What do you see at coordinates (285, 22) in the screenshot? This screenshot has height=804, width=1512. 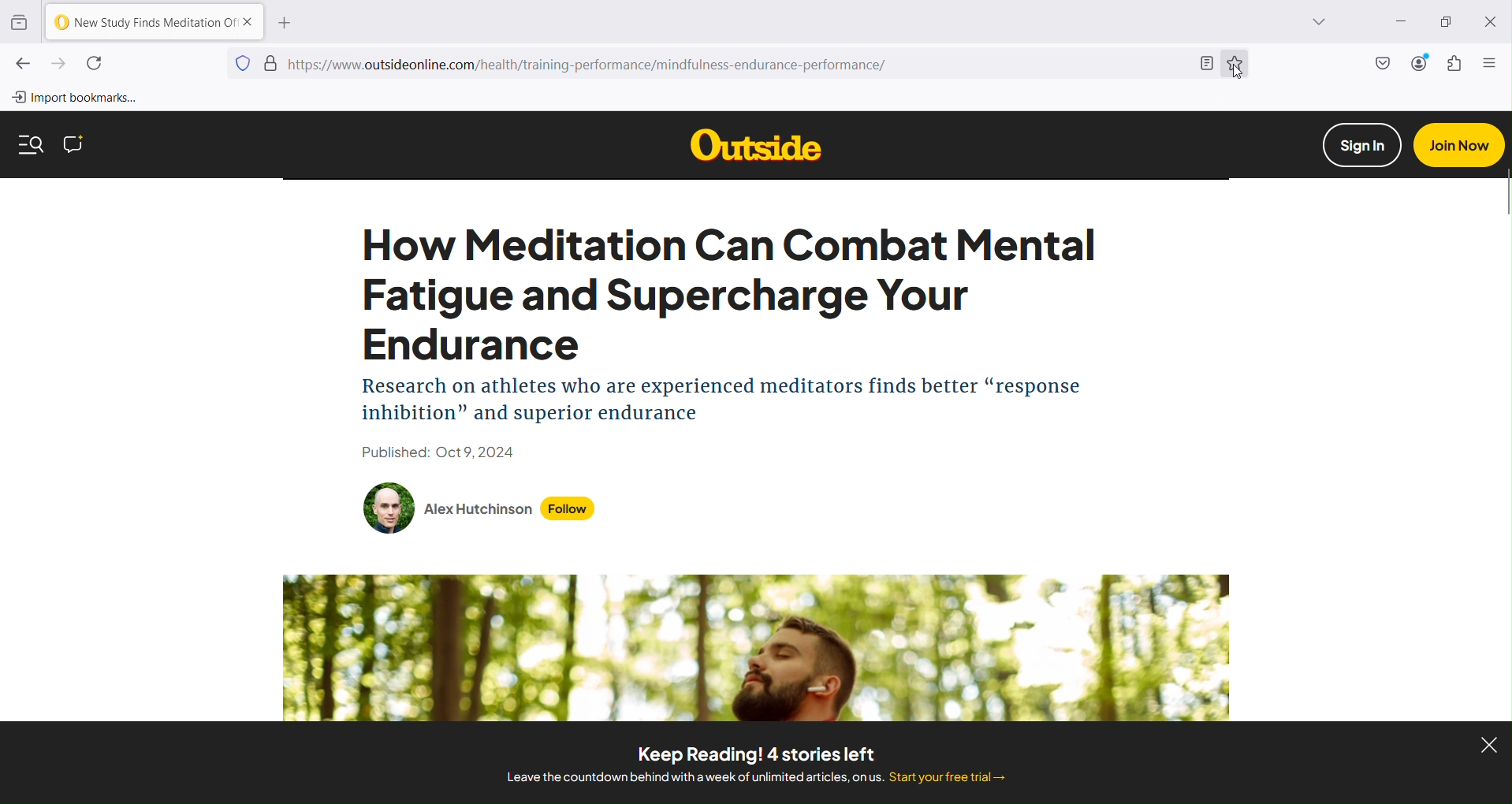 I see `Open a new tab` at bounding box center [285, 22].